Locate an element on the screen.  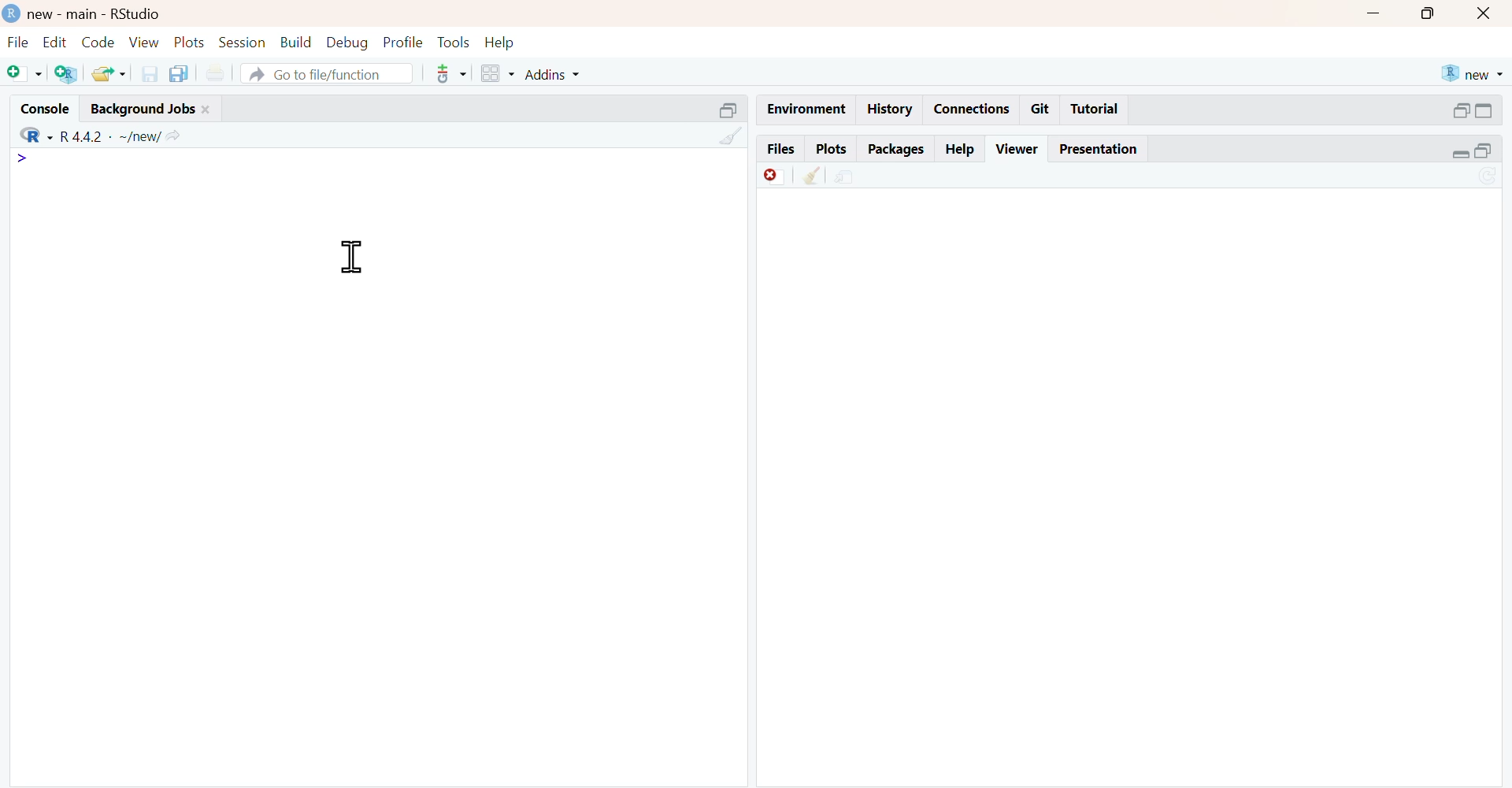
share icon is located at coordinates (175, 137).